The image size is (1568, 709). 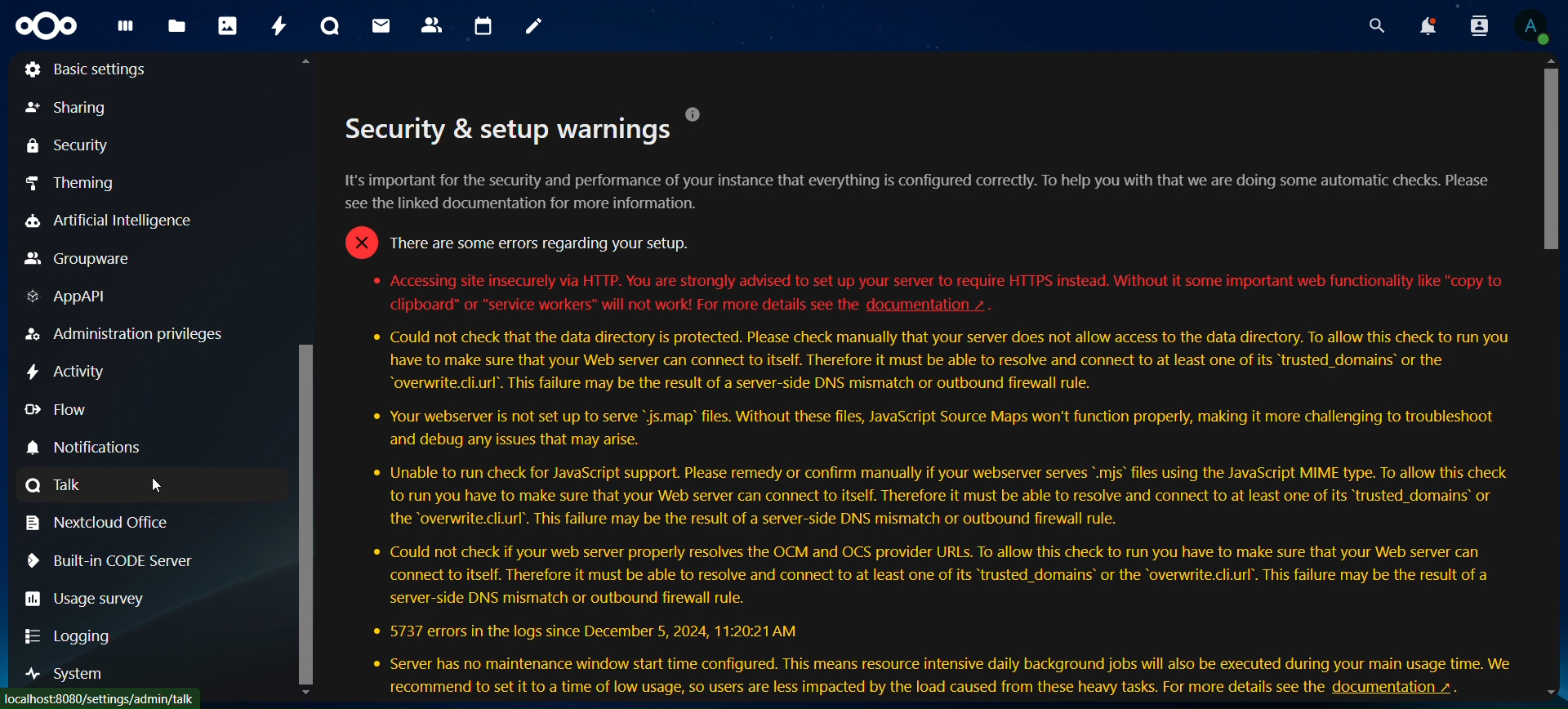 I want to click on security, so click(x=72, y=146).